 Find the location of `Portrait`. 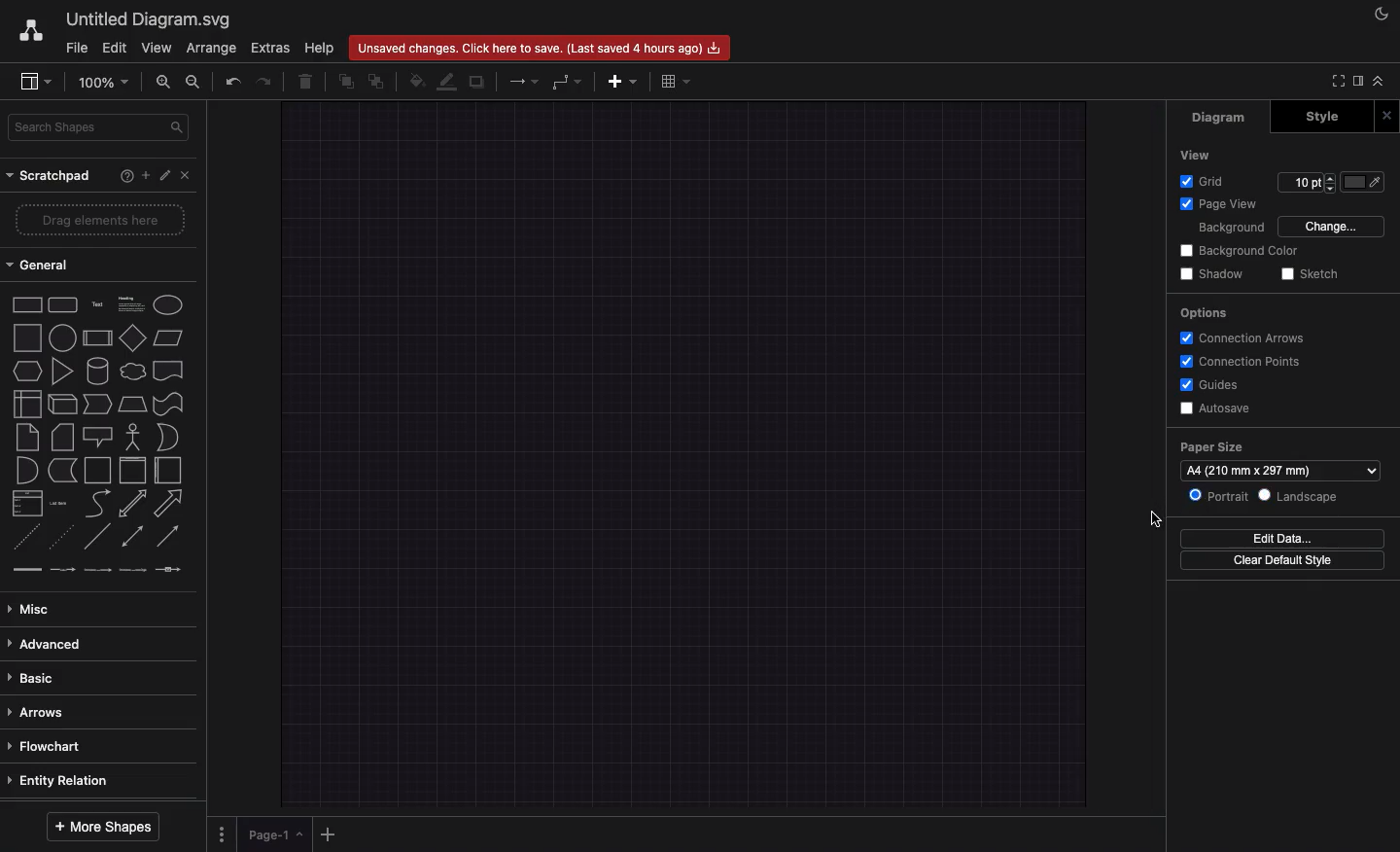

Portrait is located at coordinates (1219, 499).